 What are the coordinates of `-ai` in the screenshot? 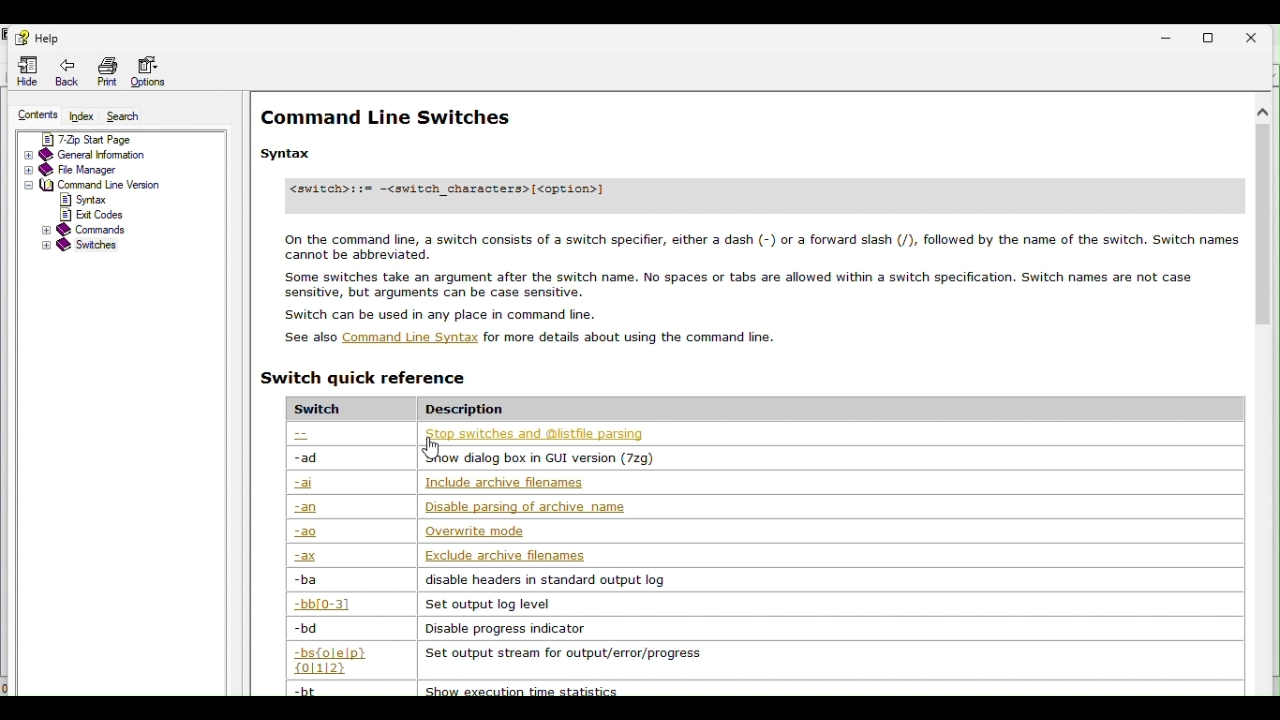 It's located at (303, 484).